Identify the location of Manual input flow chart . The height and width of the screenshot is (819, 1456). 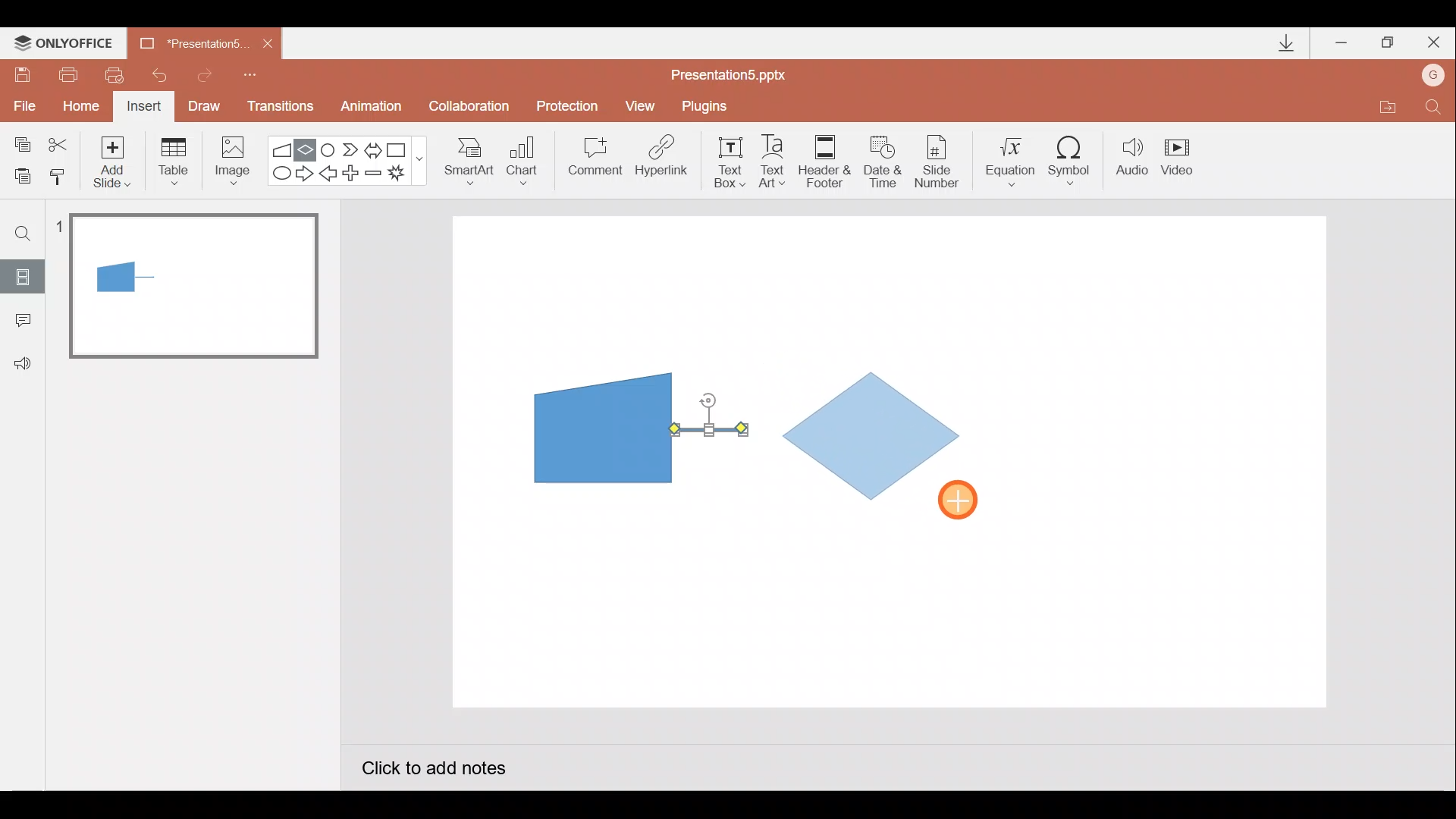
(600, 426).